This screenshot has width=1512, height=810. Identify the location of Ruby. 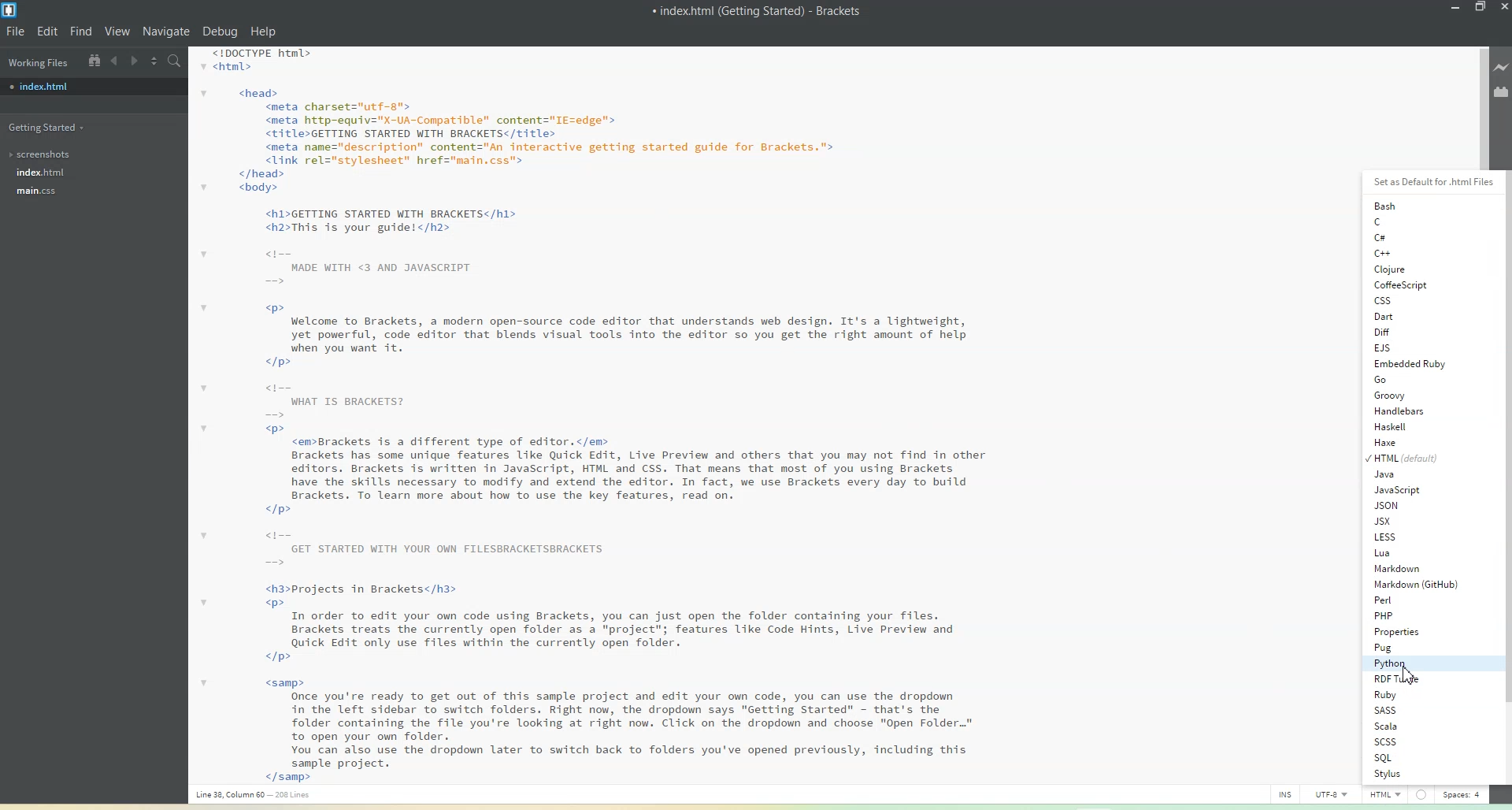
(1417, 694).